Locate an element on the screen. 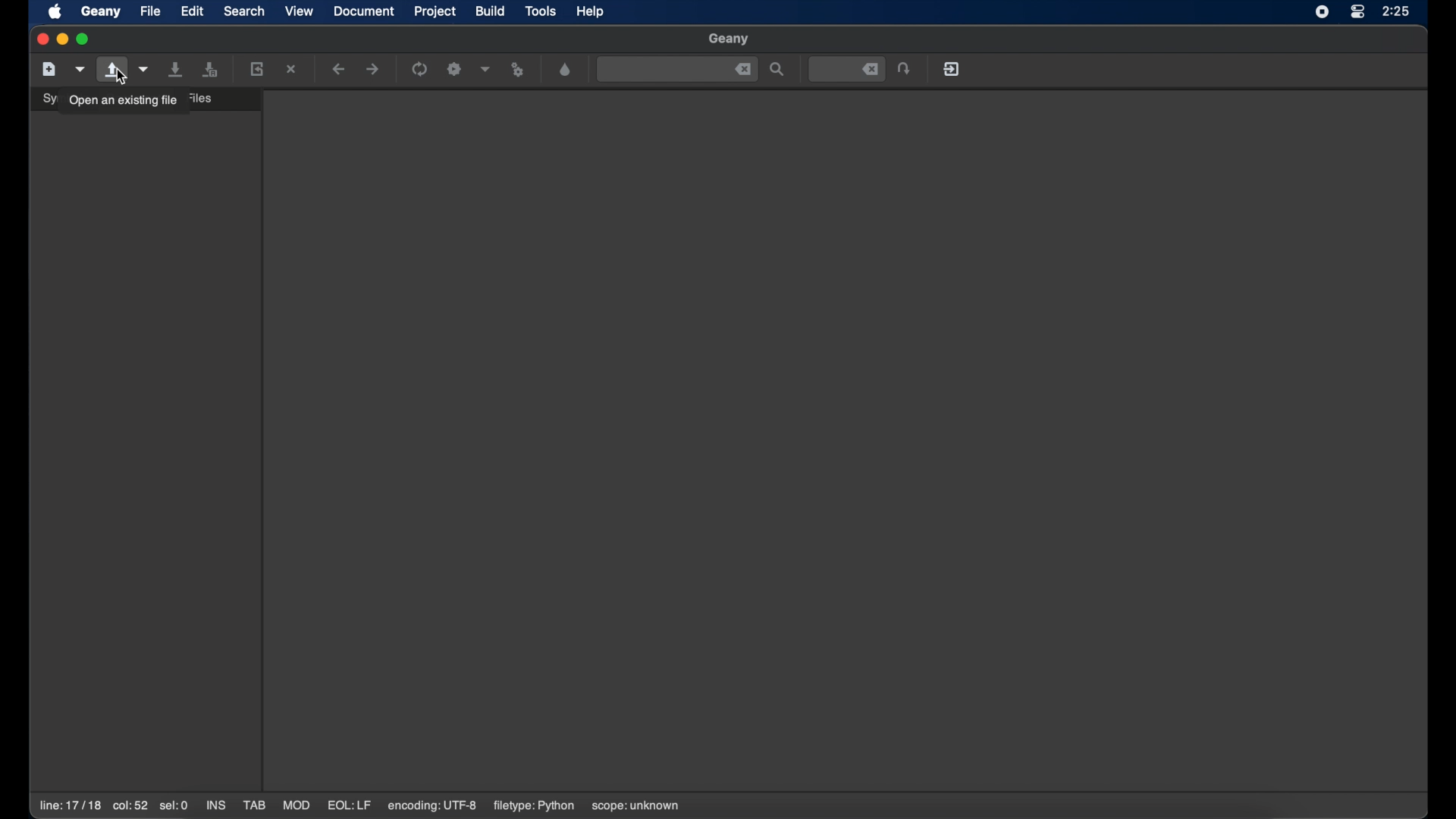  create new is located at coordinates (49, 68).